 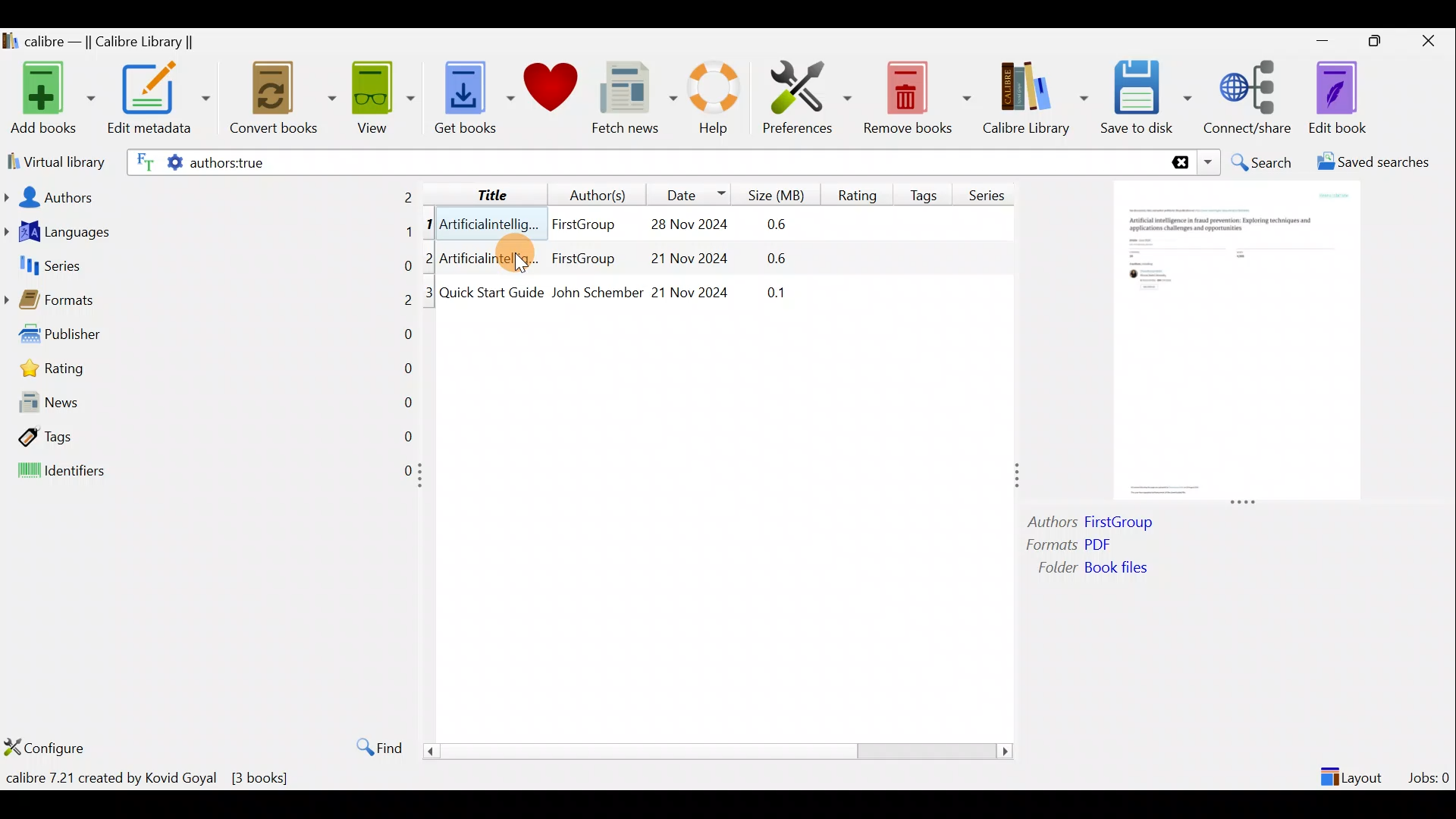 What do you see at coordinates (480, 192) in the screenshot?
I see `Title` at bounding box center [480, 192].